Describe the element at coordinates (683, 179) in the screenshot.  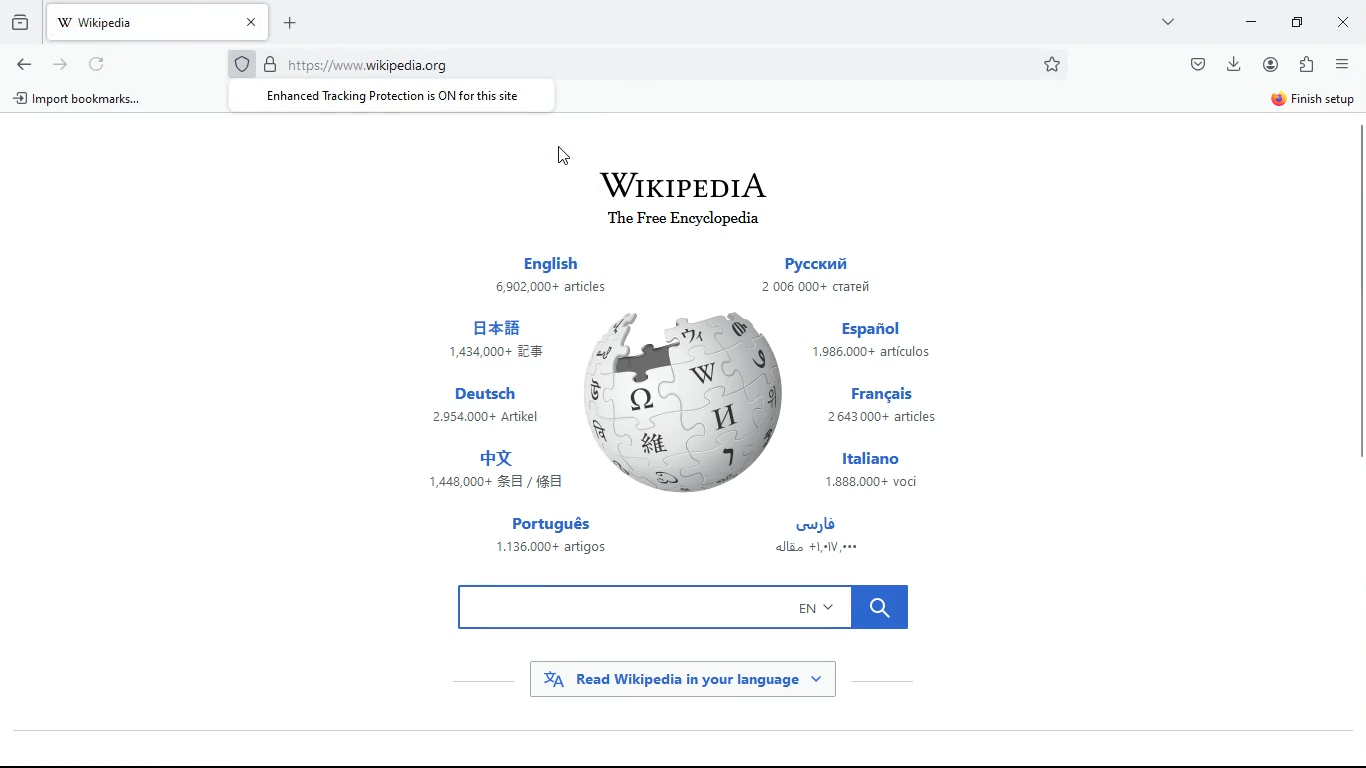
I see `wikipedia` at that location.